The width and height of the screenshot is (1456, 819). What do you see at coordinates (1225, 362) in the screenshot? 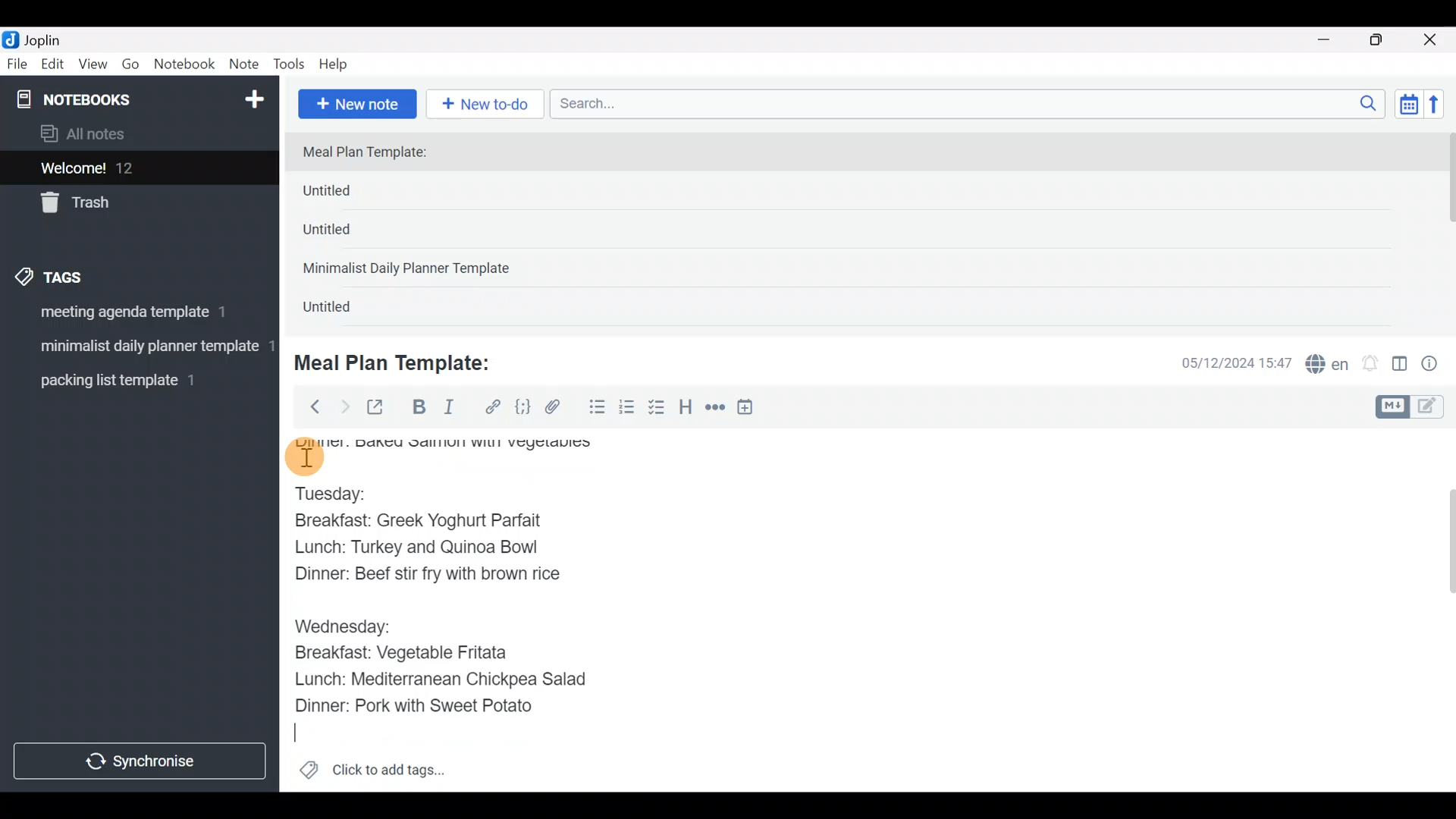
I see `Date & time` at bounding box center [1225, 362].